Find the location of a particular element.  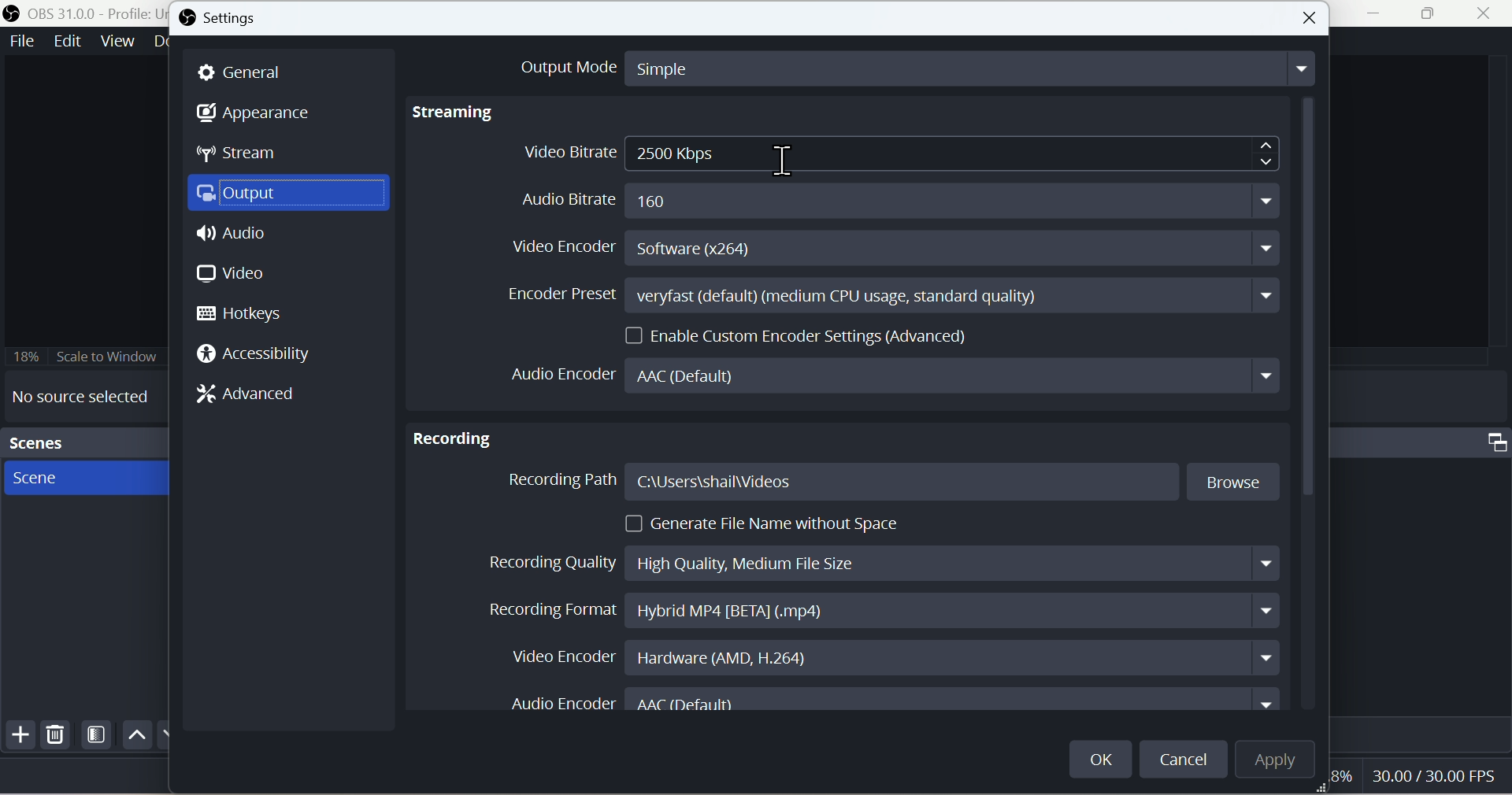

Appearance is located at coordinates (265, 115).